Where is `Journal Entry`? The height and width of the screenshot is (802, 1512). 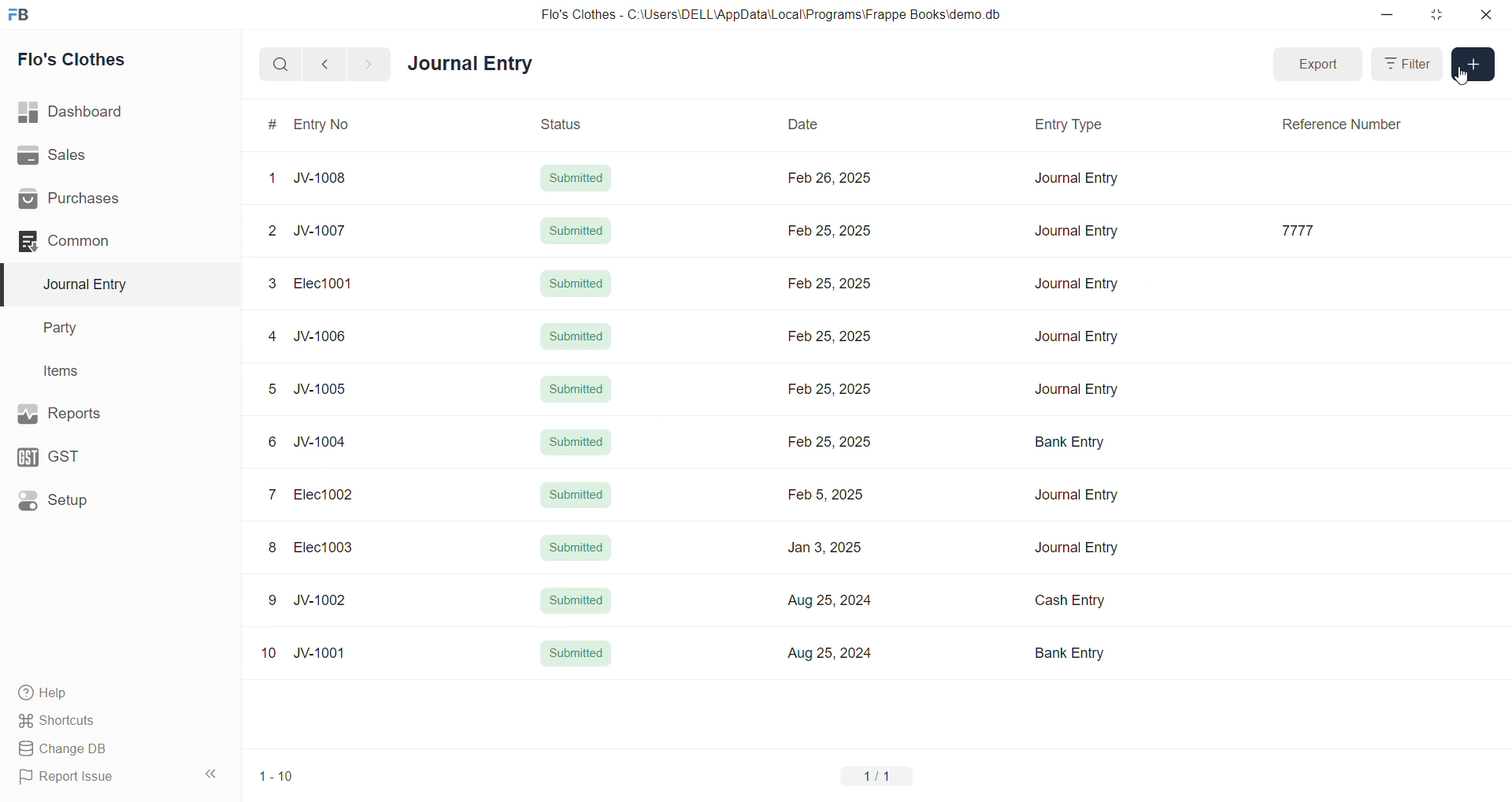 Journal Entry is located at coordinates (90, 284).